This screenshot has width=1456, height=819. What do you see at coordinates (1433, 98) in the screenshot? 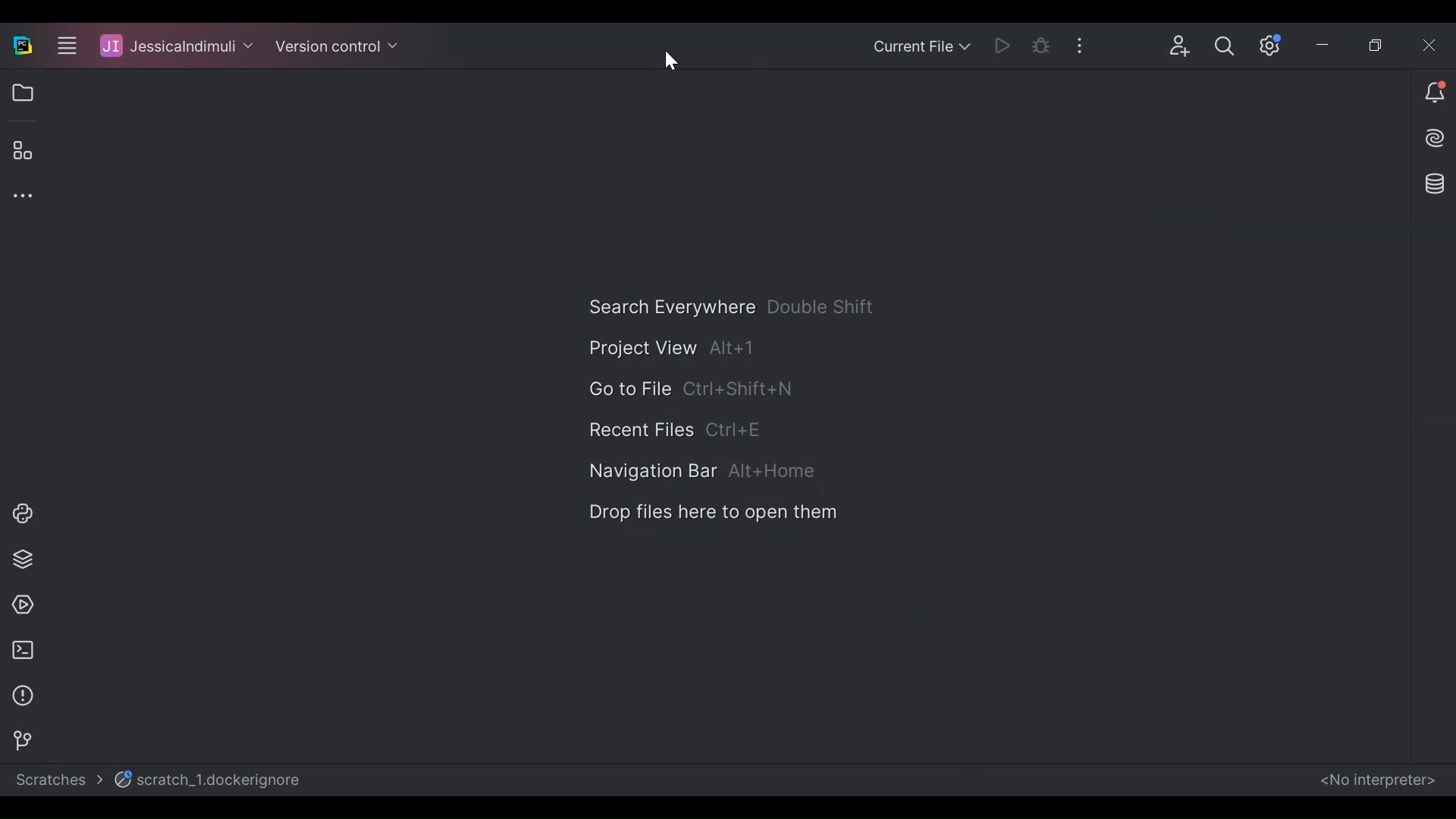
I see `Notifications` at bounding box center [1433, 98].